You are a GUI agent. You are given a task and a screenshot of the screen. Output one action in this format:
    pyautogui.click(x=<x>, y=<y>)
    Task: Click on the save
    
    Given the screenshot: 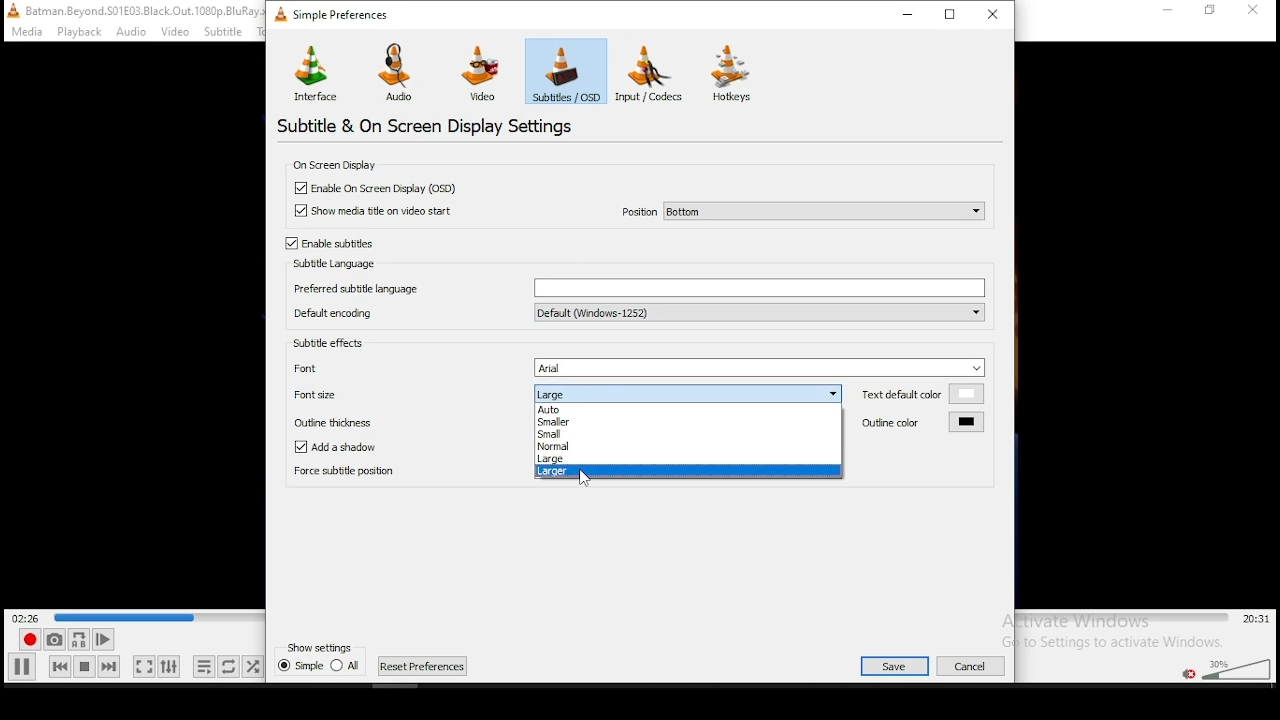 What is the action you would take?
    pyautogui.click(x=895, y=666)
    